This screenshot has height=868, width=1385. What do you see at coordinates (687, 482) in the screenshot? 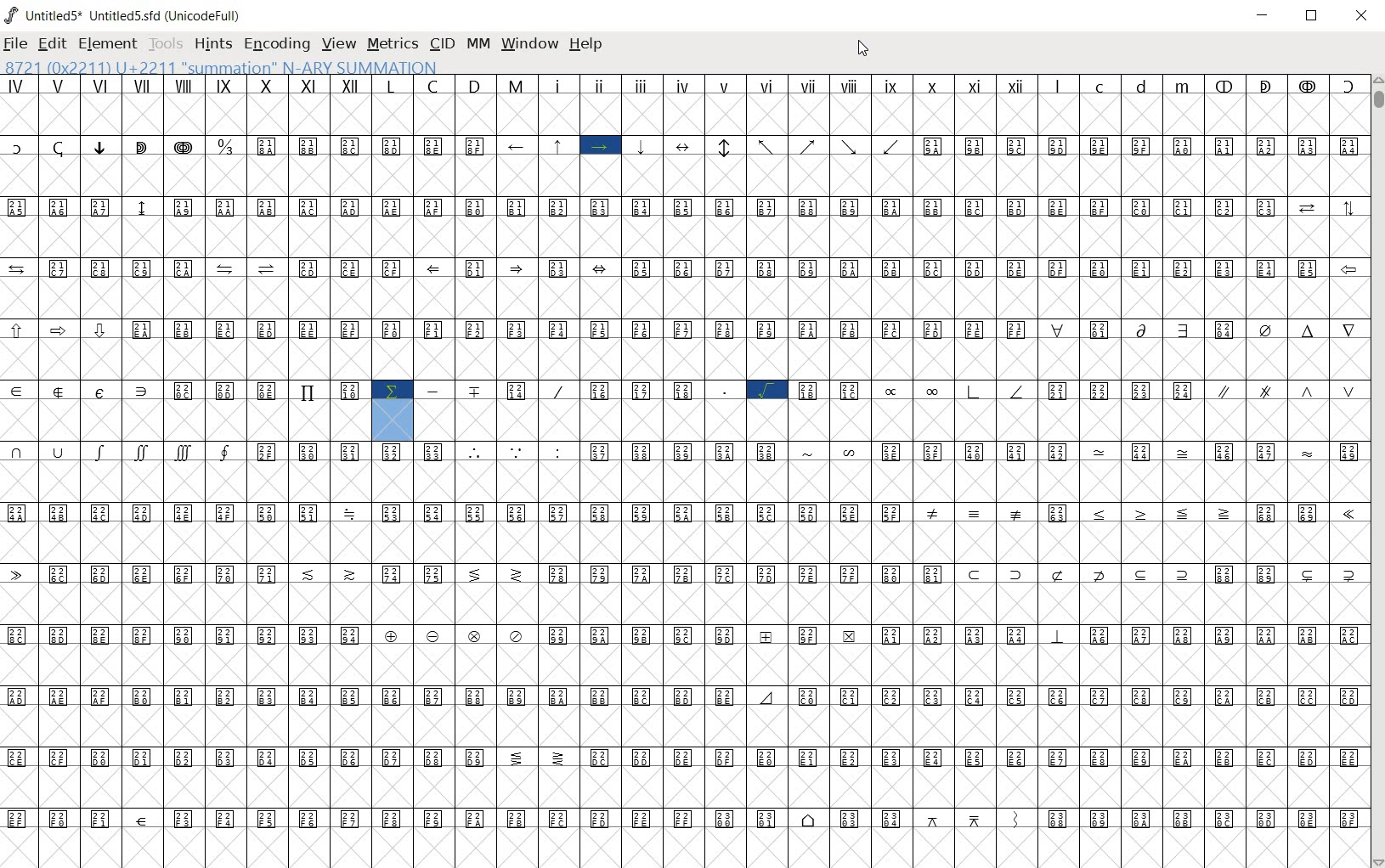
I see `empty cells` at bounding box center [687, 482].